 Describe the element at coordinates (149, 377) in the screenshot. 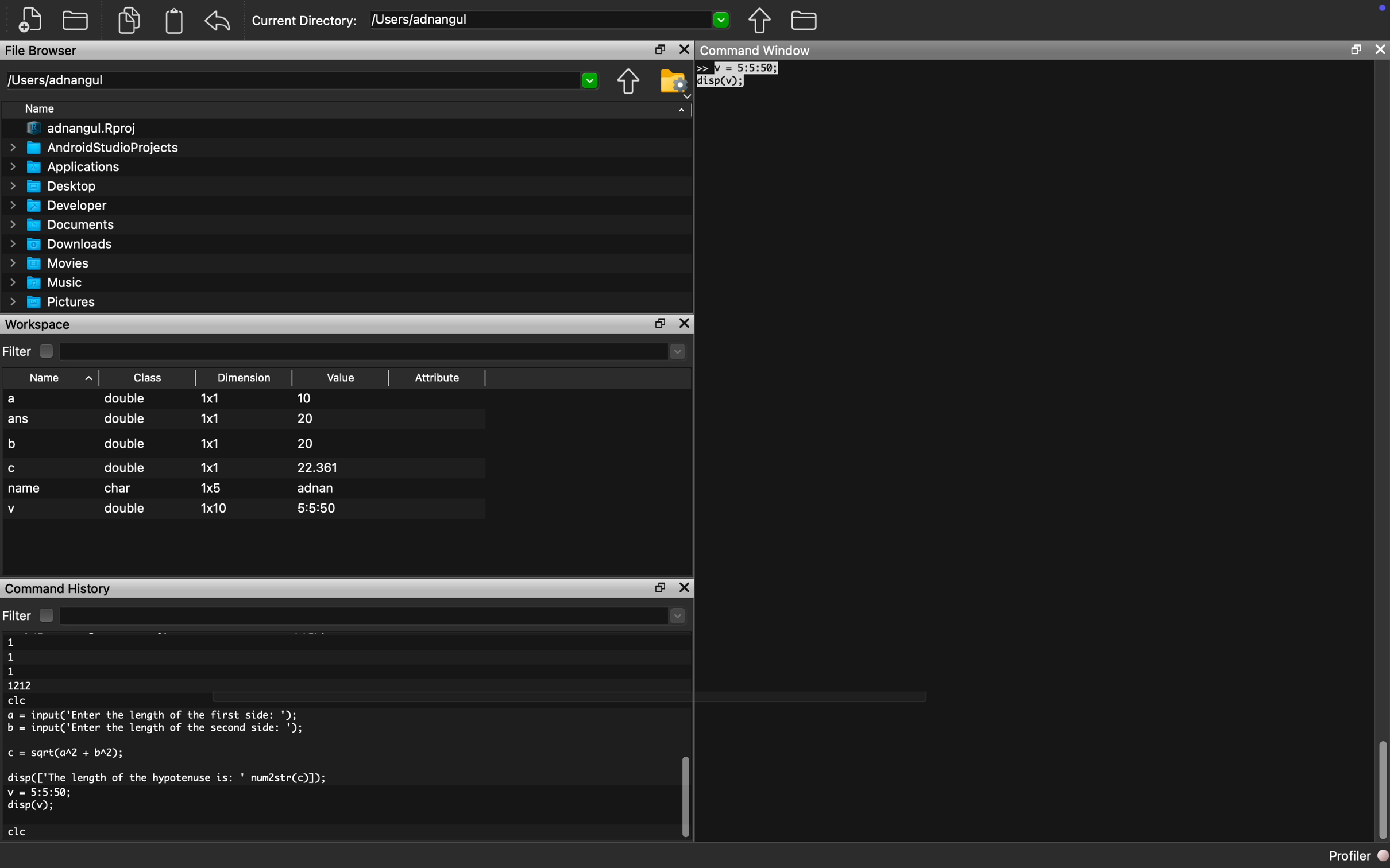

I see `Class` at that location.